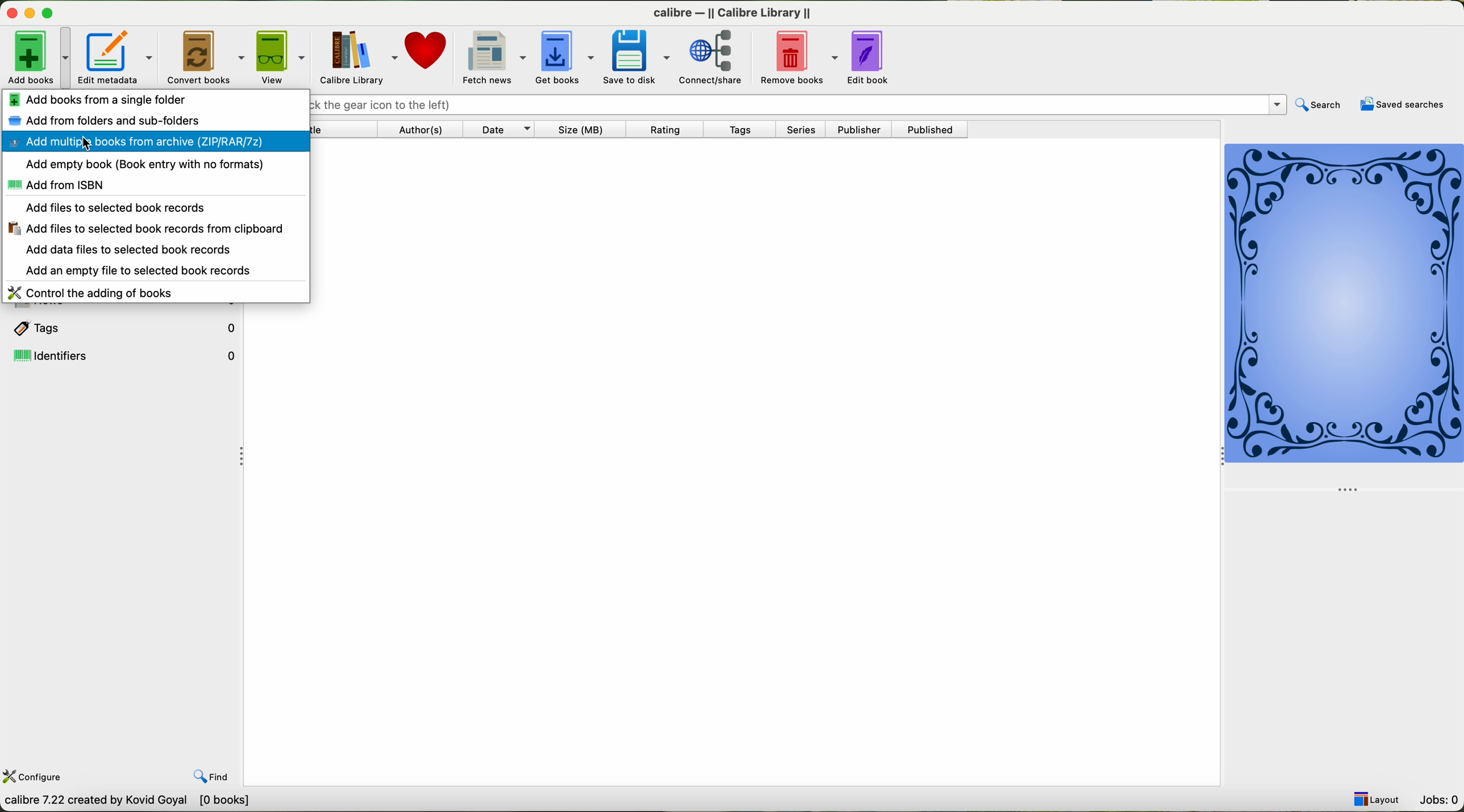 The height and width of the screenshot is (812, 1464). What do you see at coordinates (138, 801) in the screenshot?
I see `callibre 7.22 created by kavid Goyal [0books]` at bounding box center [138, 801].